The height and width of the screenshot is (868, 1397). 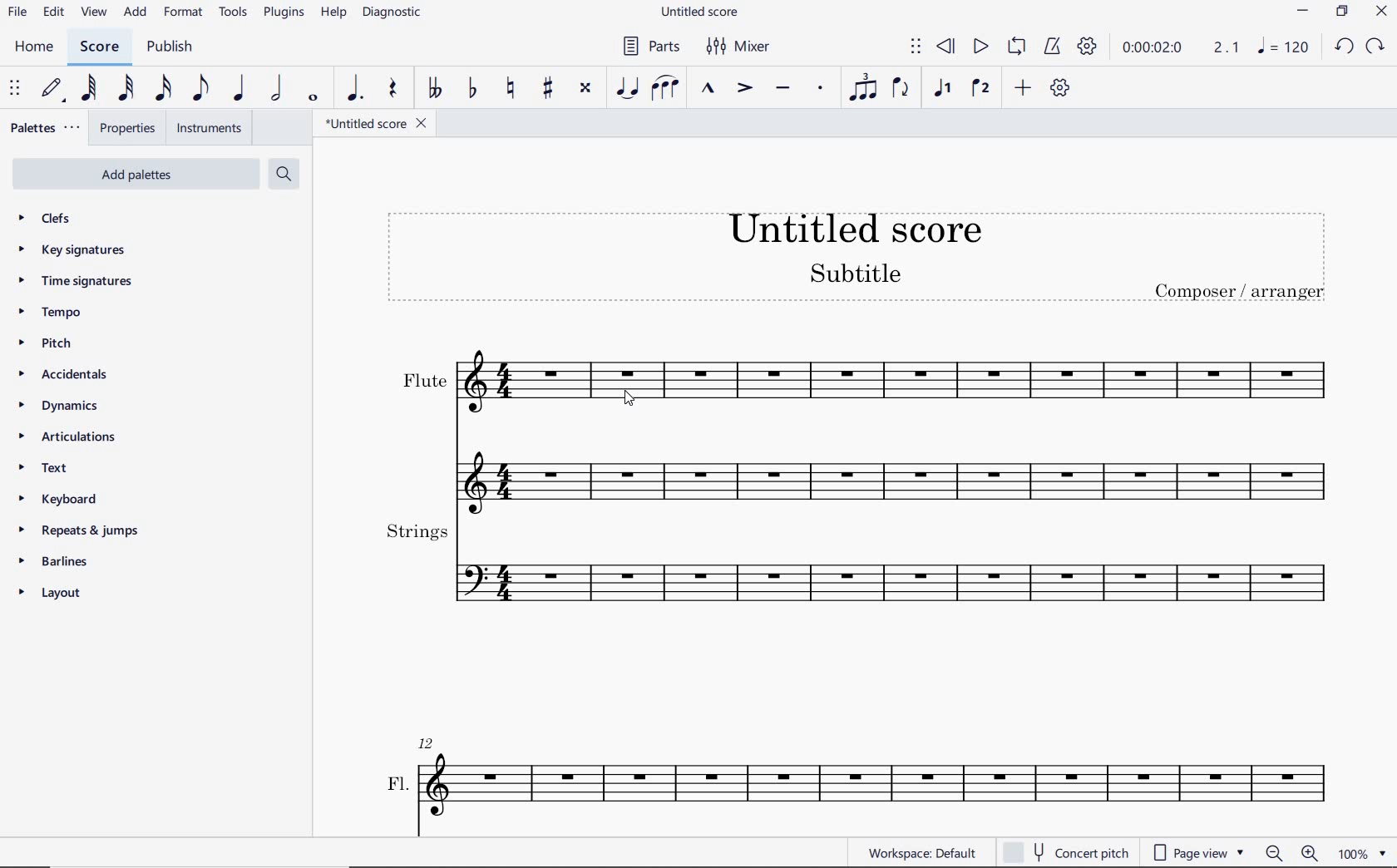 What do you see at coordinates (856, 423) in the screenshot?
I see `flute` at bounding box center [856, 423].